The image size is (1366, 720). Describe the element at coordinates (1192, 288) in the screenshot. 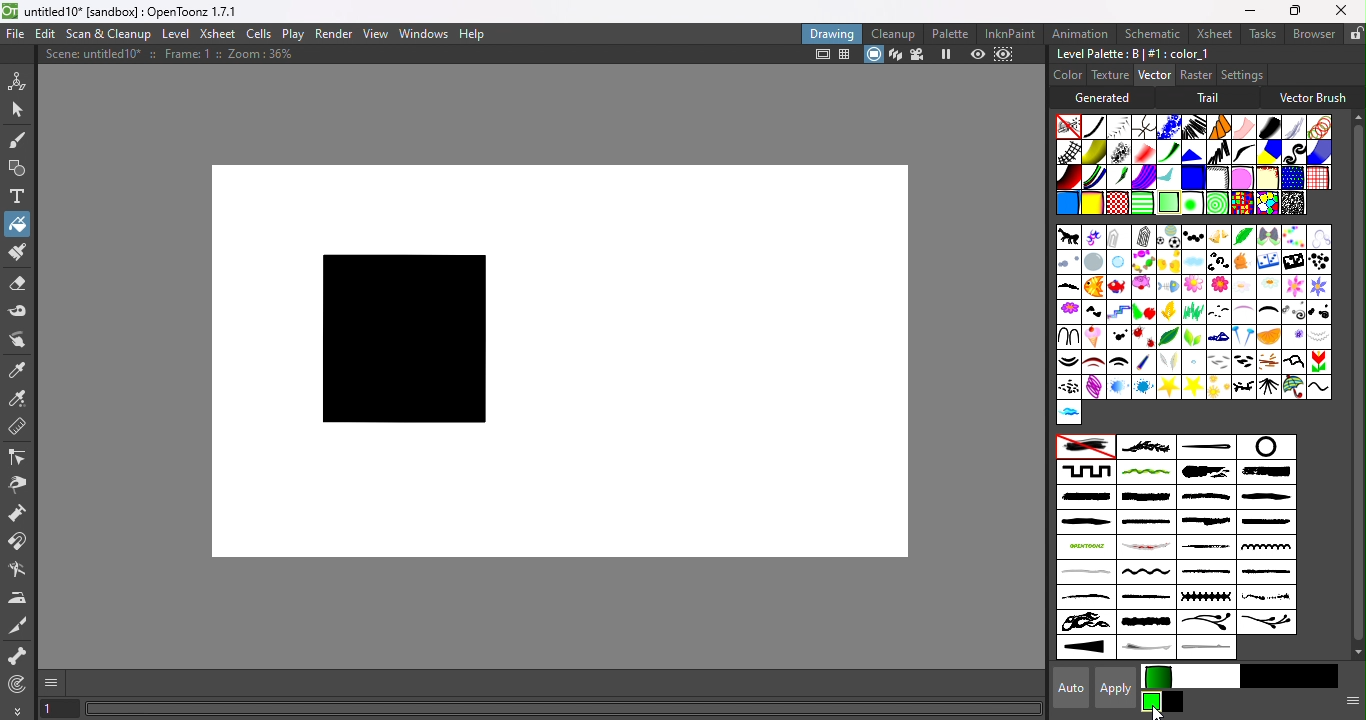

I see `Flow` at that location.